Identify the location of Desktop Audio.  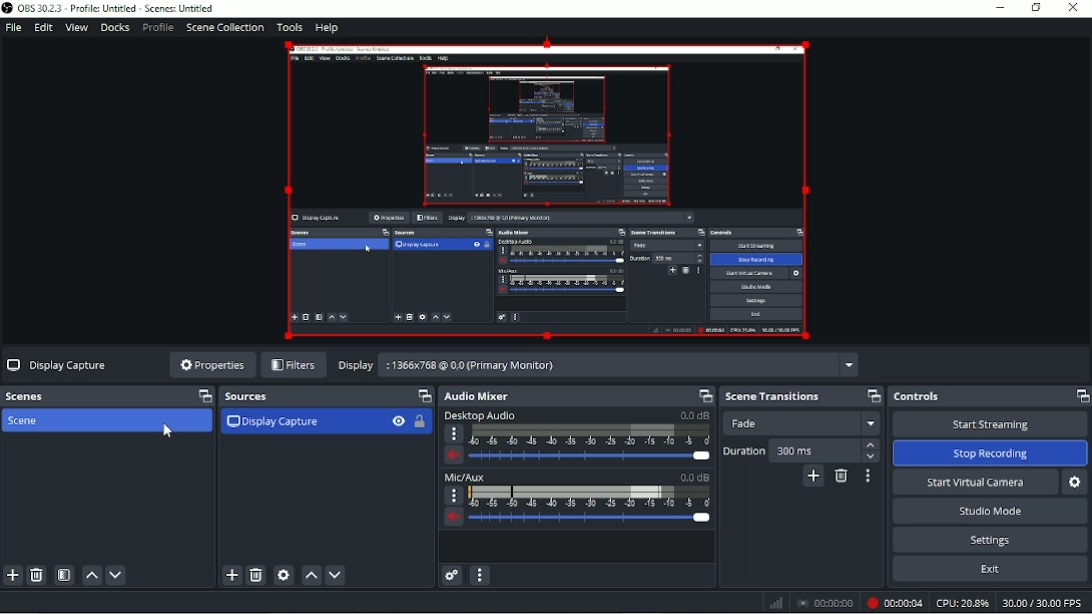
(479, 417).